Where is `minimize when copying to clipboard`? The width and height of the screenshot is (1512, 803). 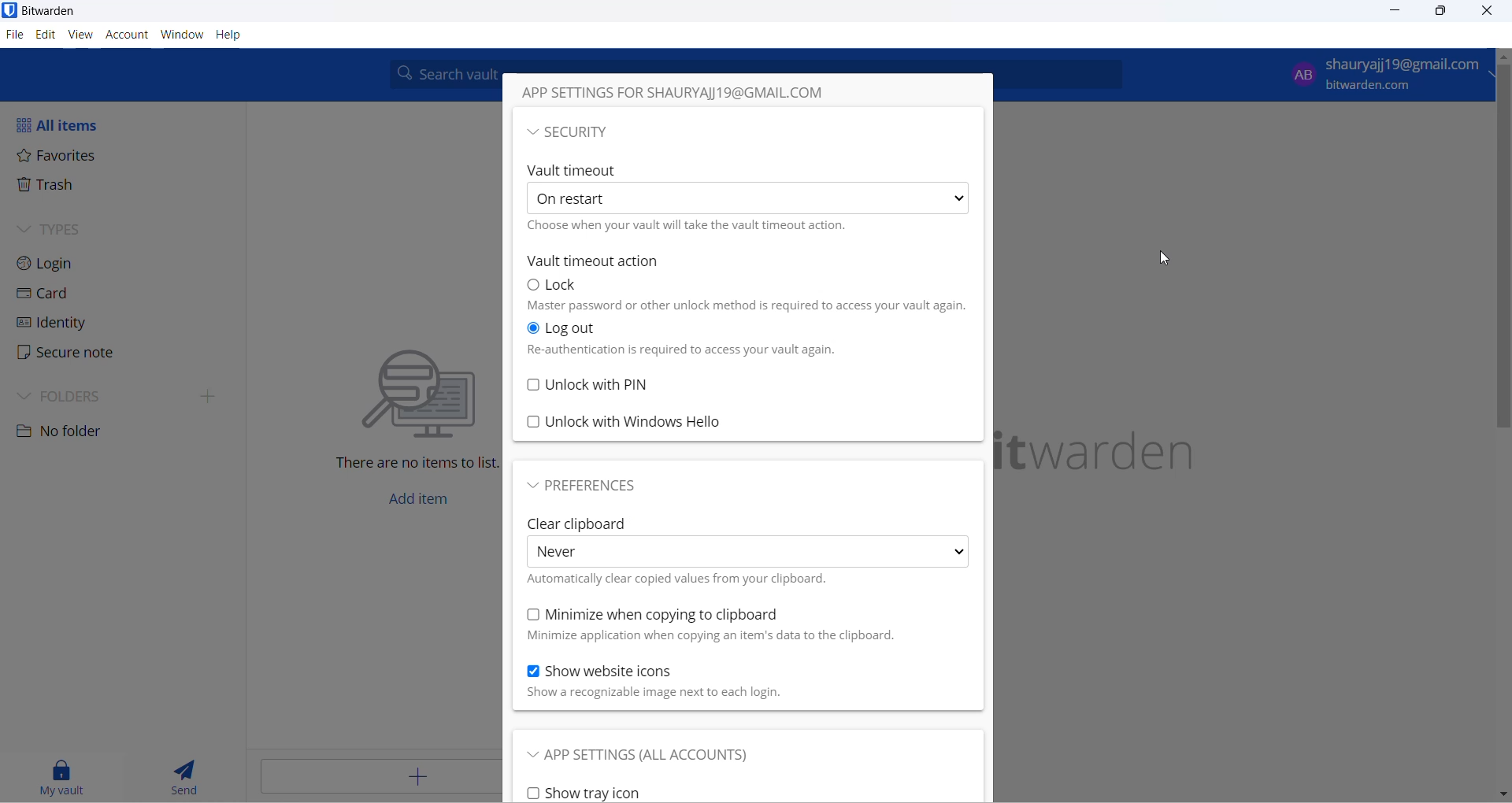 minimize when copying to clipboard is located at coordinates (655, 612).